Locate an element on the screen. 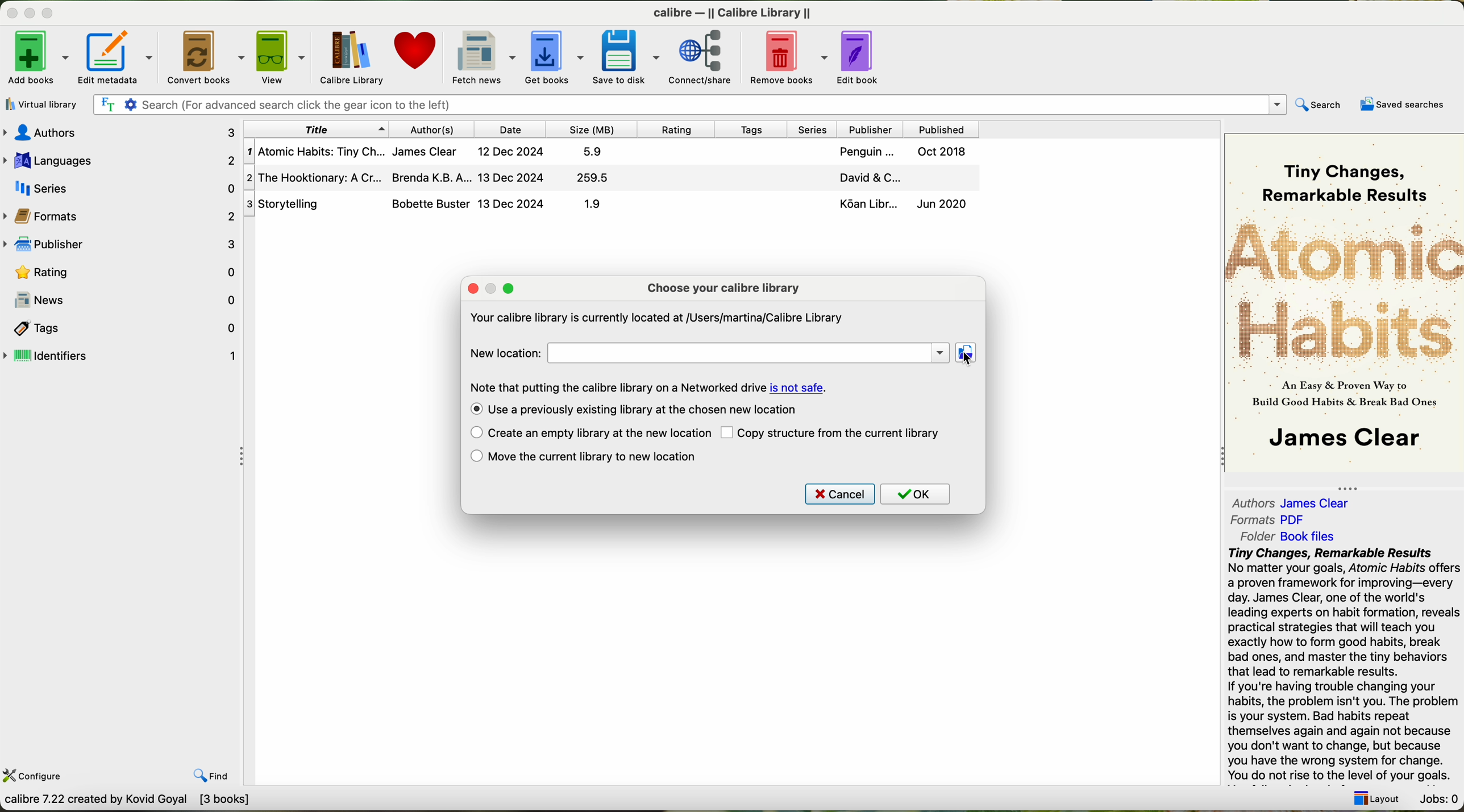 The width and height of the screenshot is (1464, 812). remove books is located at coordinates (788, 56).